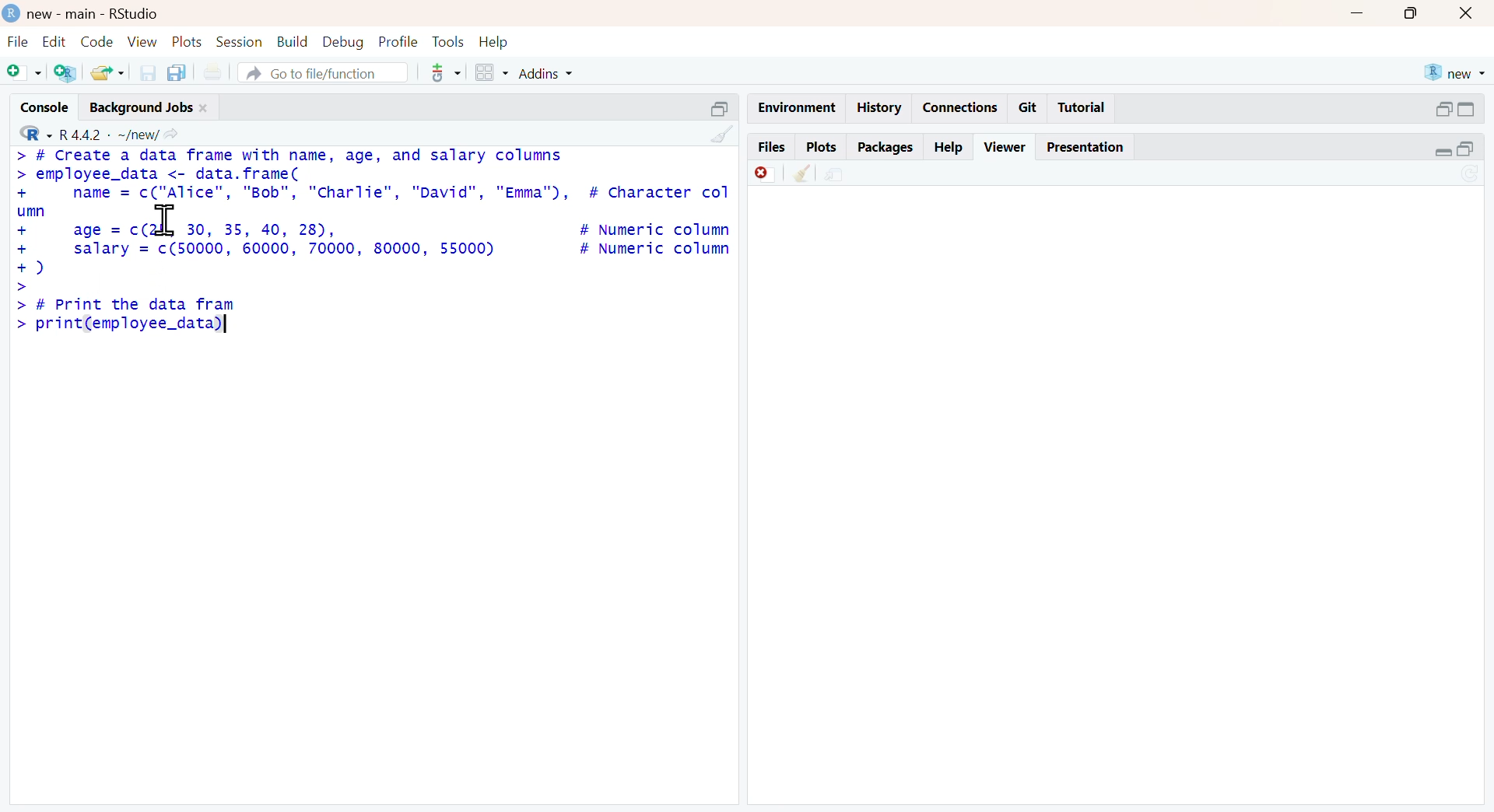 The image size is (1494, 812). Describe the element at coordinates (316, 73) in the screenshot. I see `A Go to file/function` at that location.